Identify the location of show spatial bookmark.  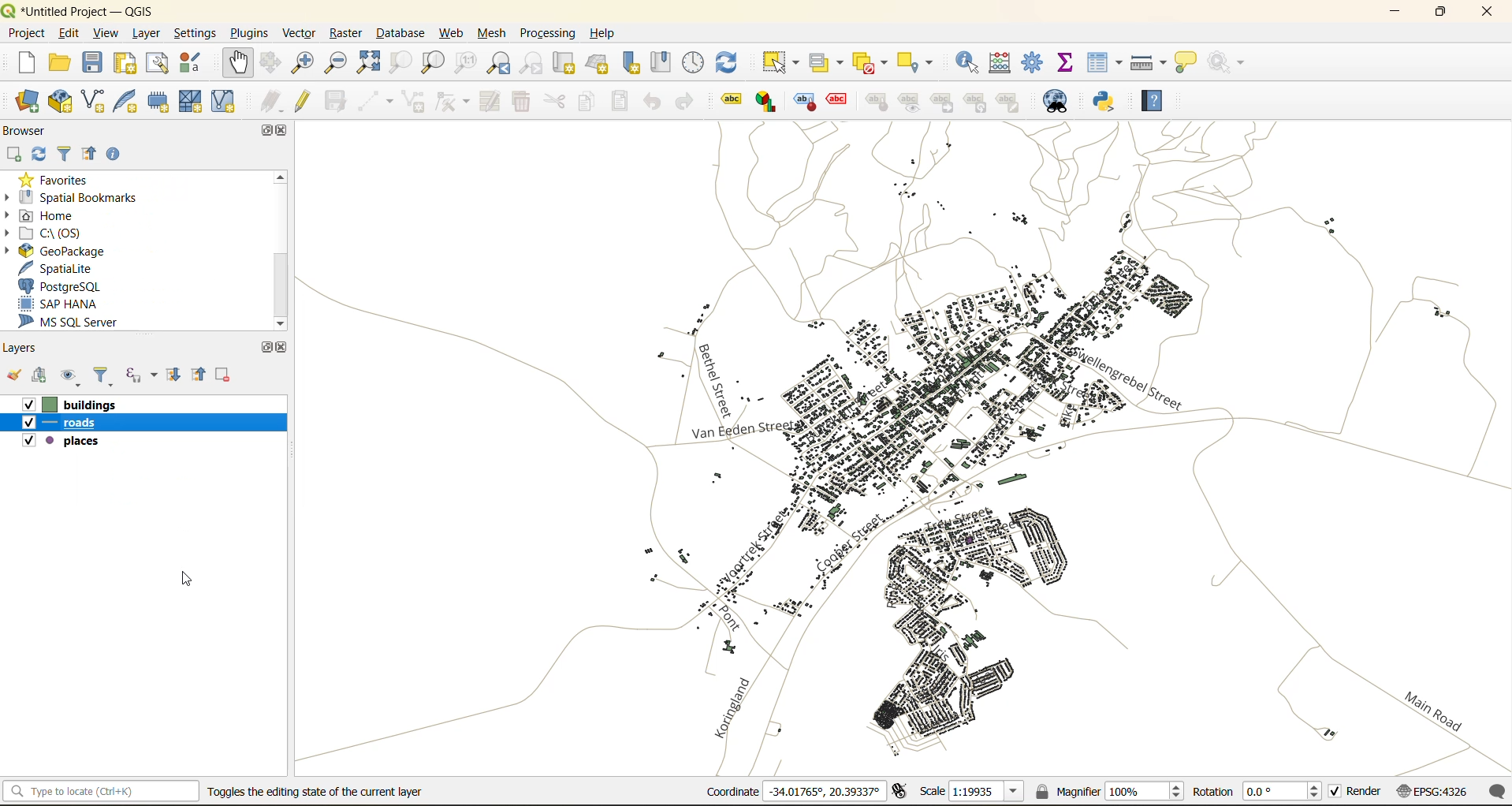
(662, 65).